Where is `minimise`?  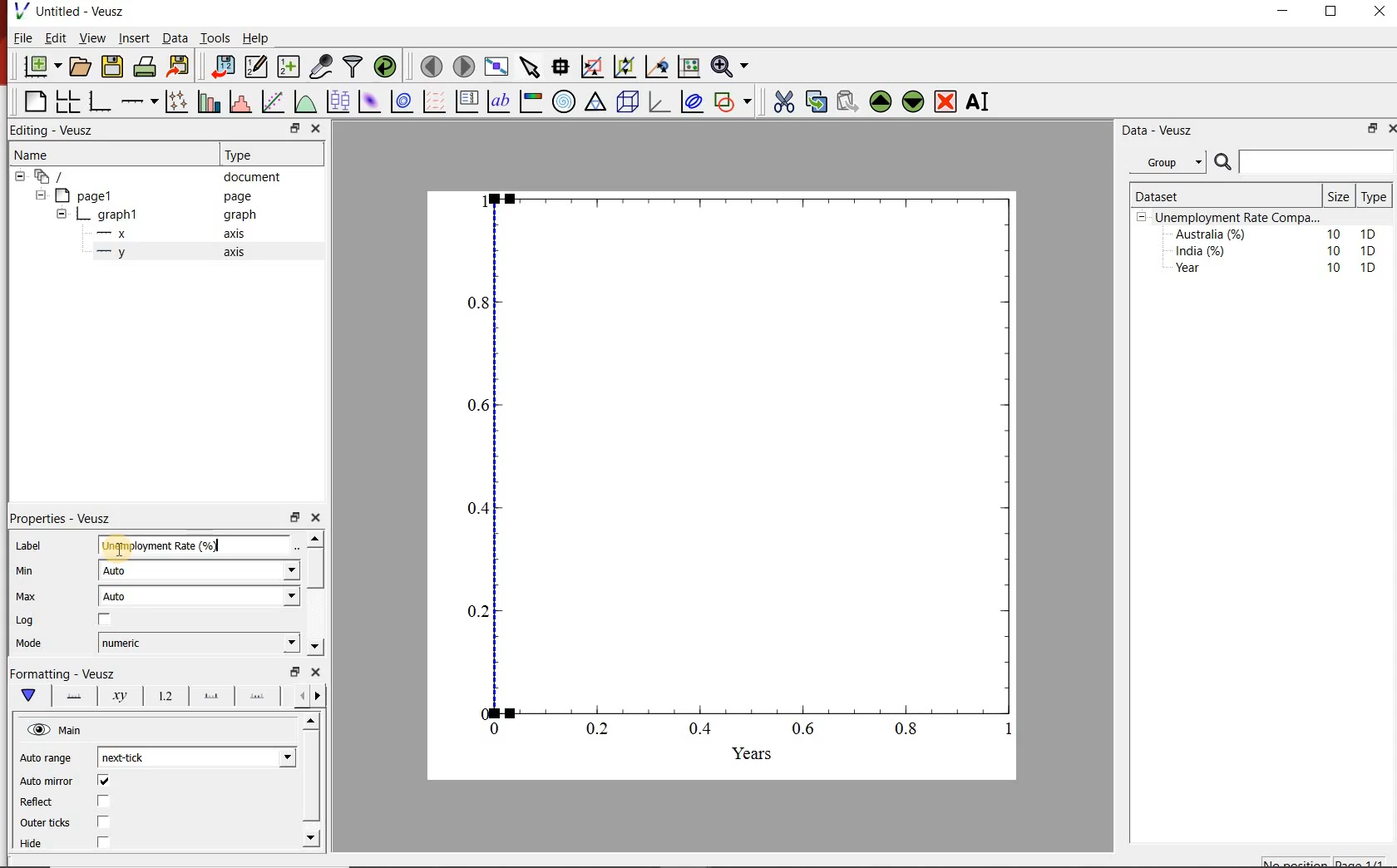 minimise is located at coordinates (1371, 128).